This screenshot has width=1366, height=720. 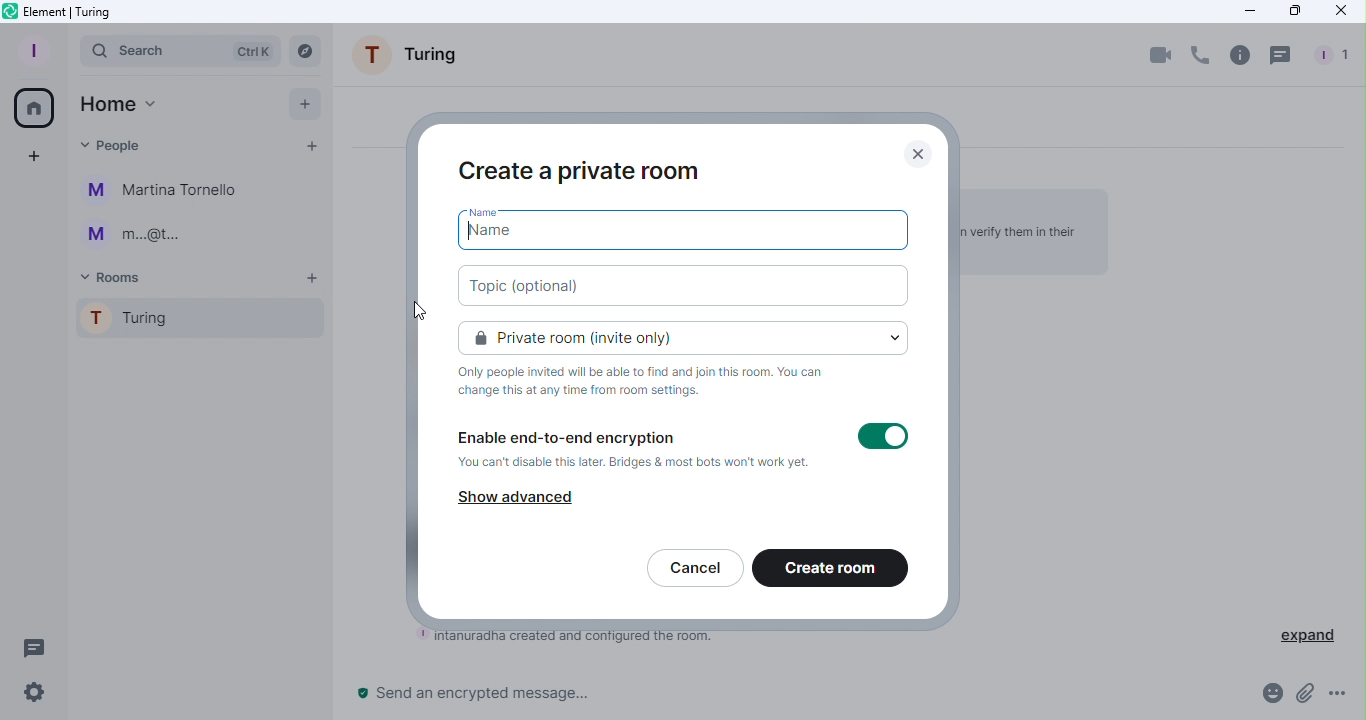 I want to click on Write message, so click(x=793, y=697).